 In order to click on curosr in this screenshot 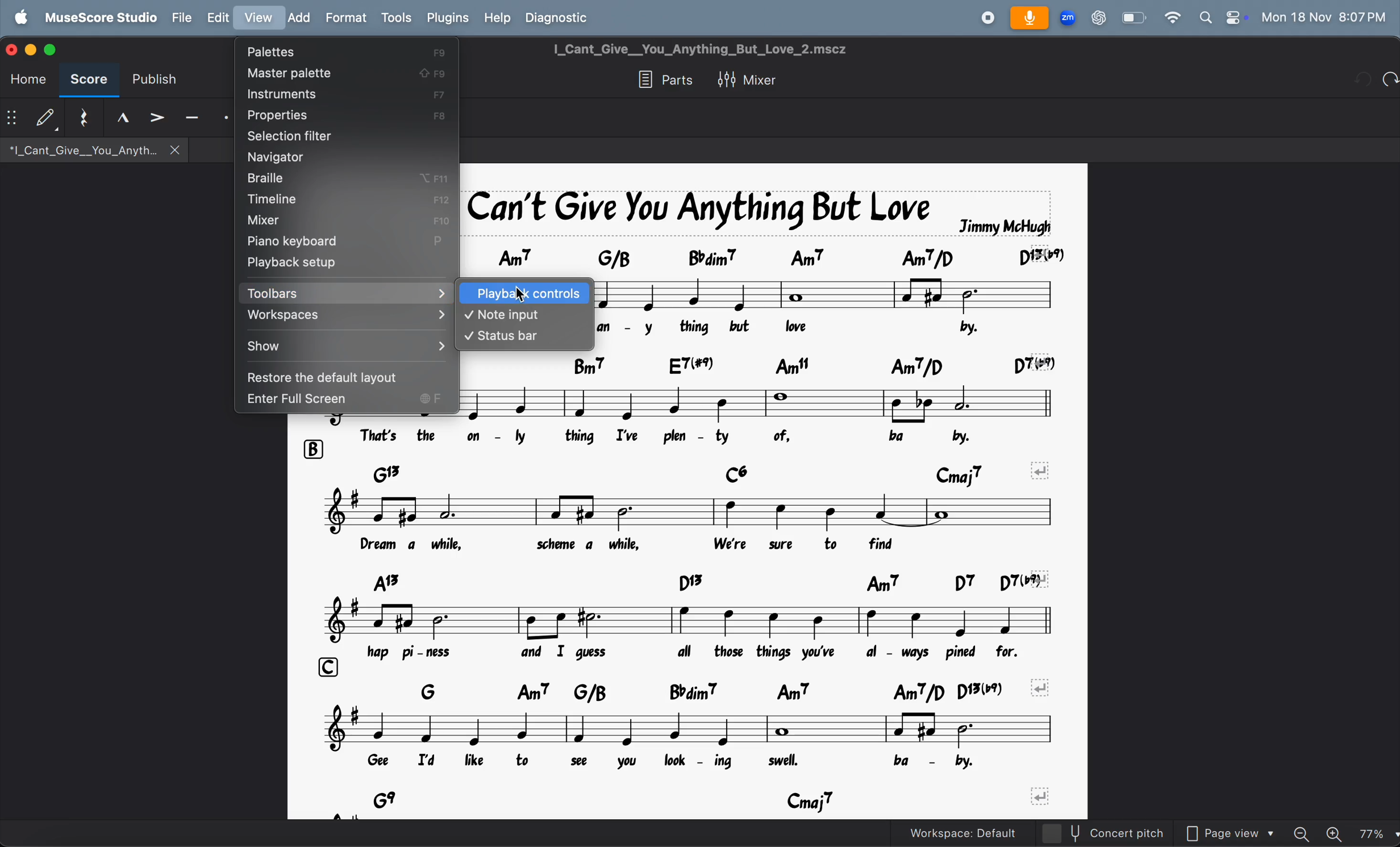, I will do `click(524, 295)`.